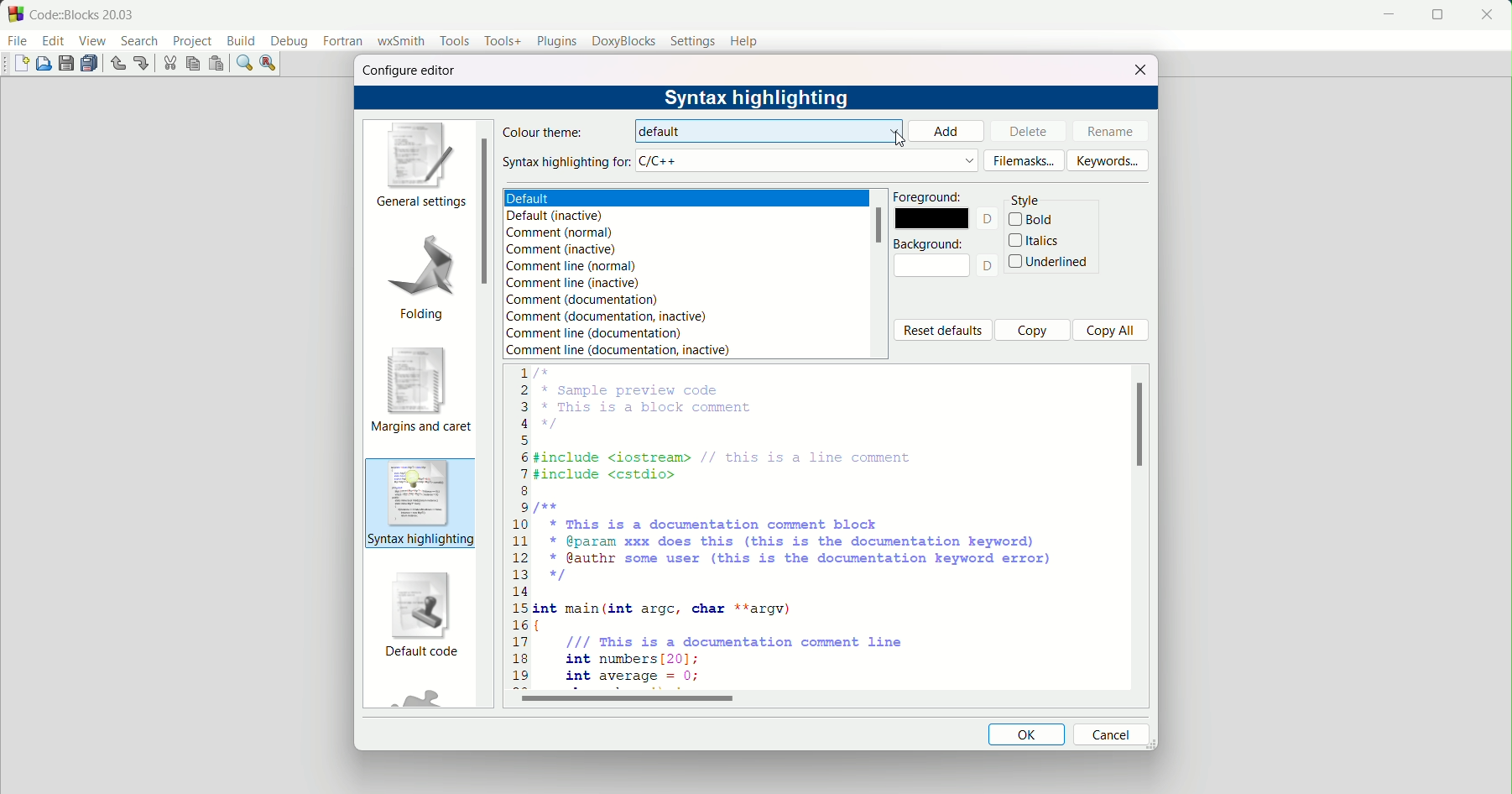 This screenshot has height=794, width=1512. What do you see at coordinates (1110, 734) in the screenshot?
I see `cancel` at bounding box center [1110, 734].